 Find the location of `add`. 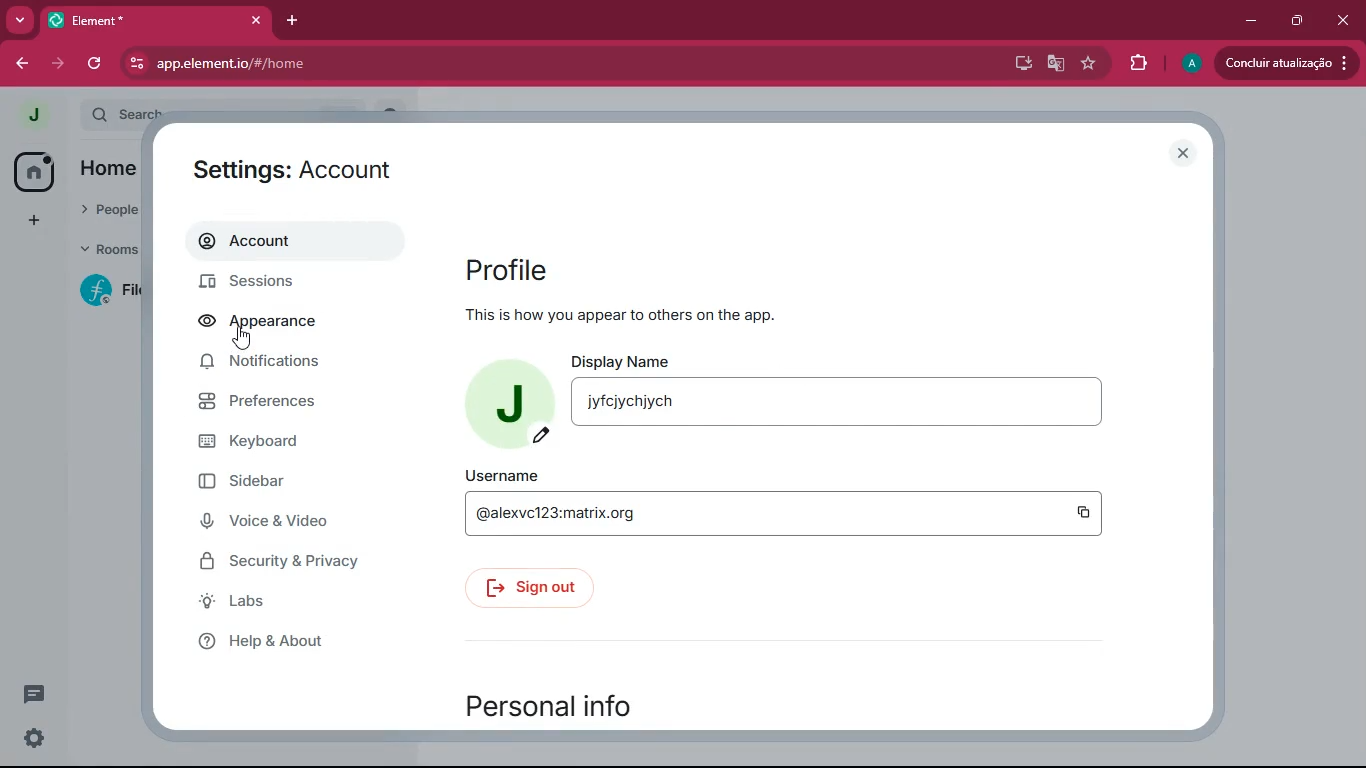

add is located at coordinates (38, 218).